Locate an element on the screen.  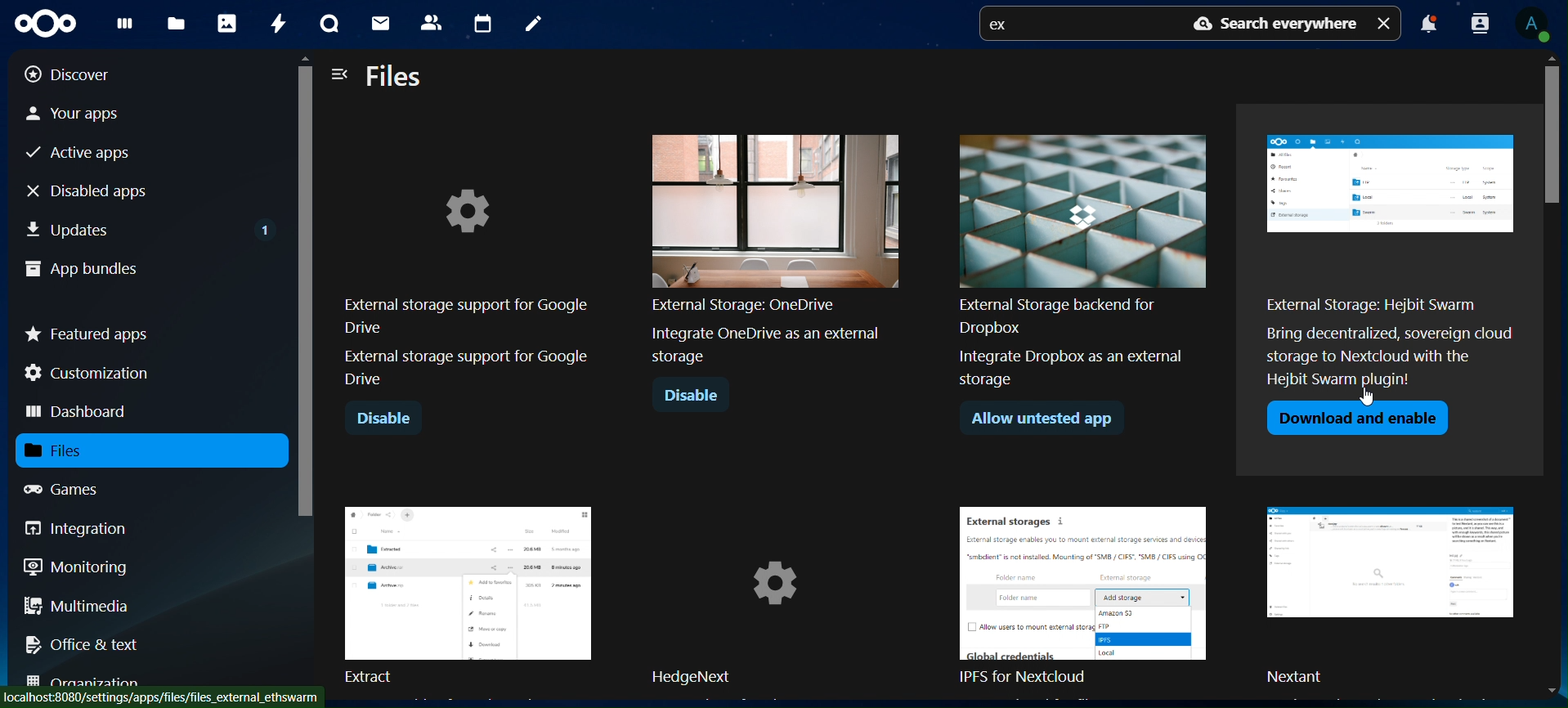
close navigation is located at coordinates (340, 73).